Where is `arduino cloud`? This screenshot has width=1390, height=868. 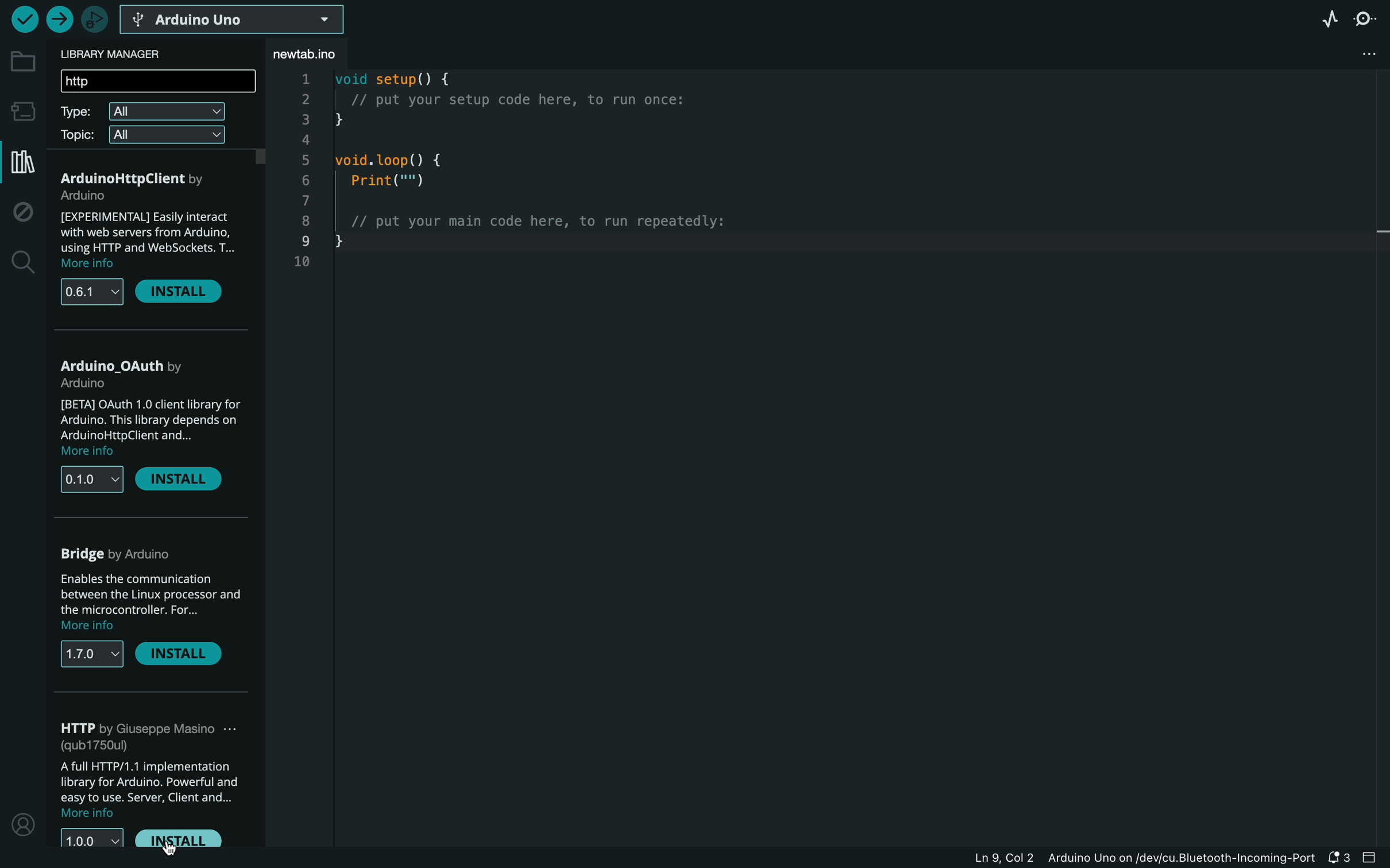
arduino cloud is located at coordinates (138, 556).